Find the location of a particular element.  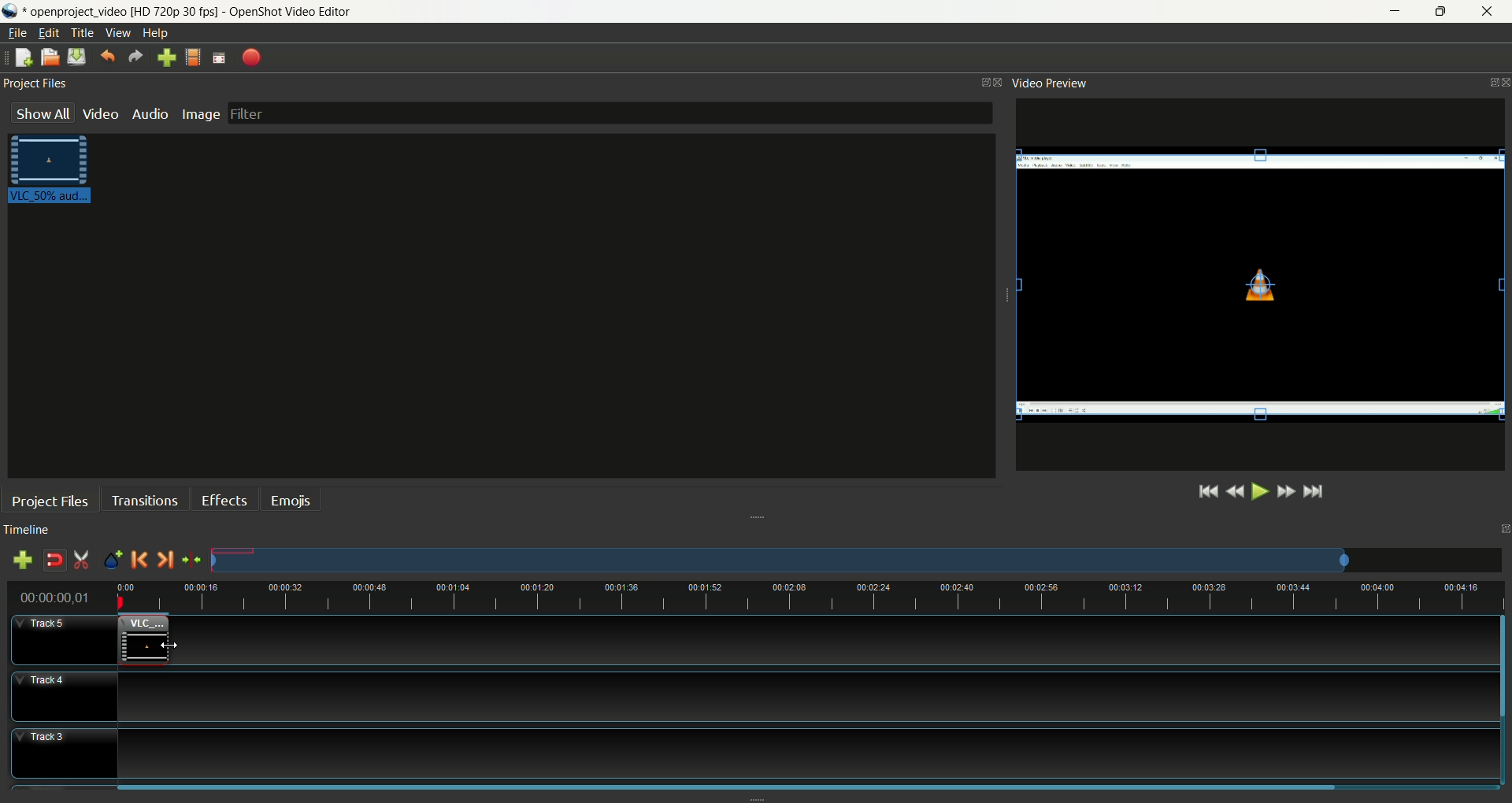

center the timeline on the playhead is located at coordinates (192, 561).